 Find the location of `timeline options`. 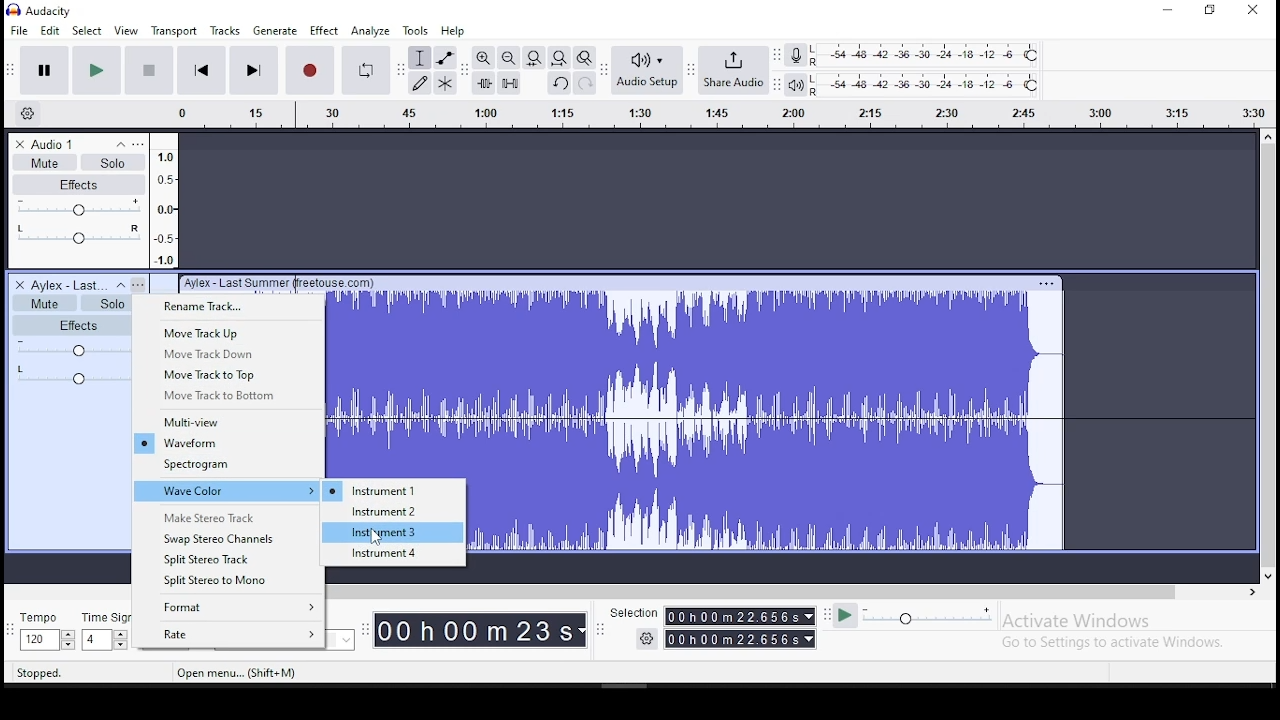

timeline options is located at coordinates (32, 114).